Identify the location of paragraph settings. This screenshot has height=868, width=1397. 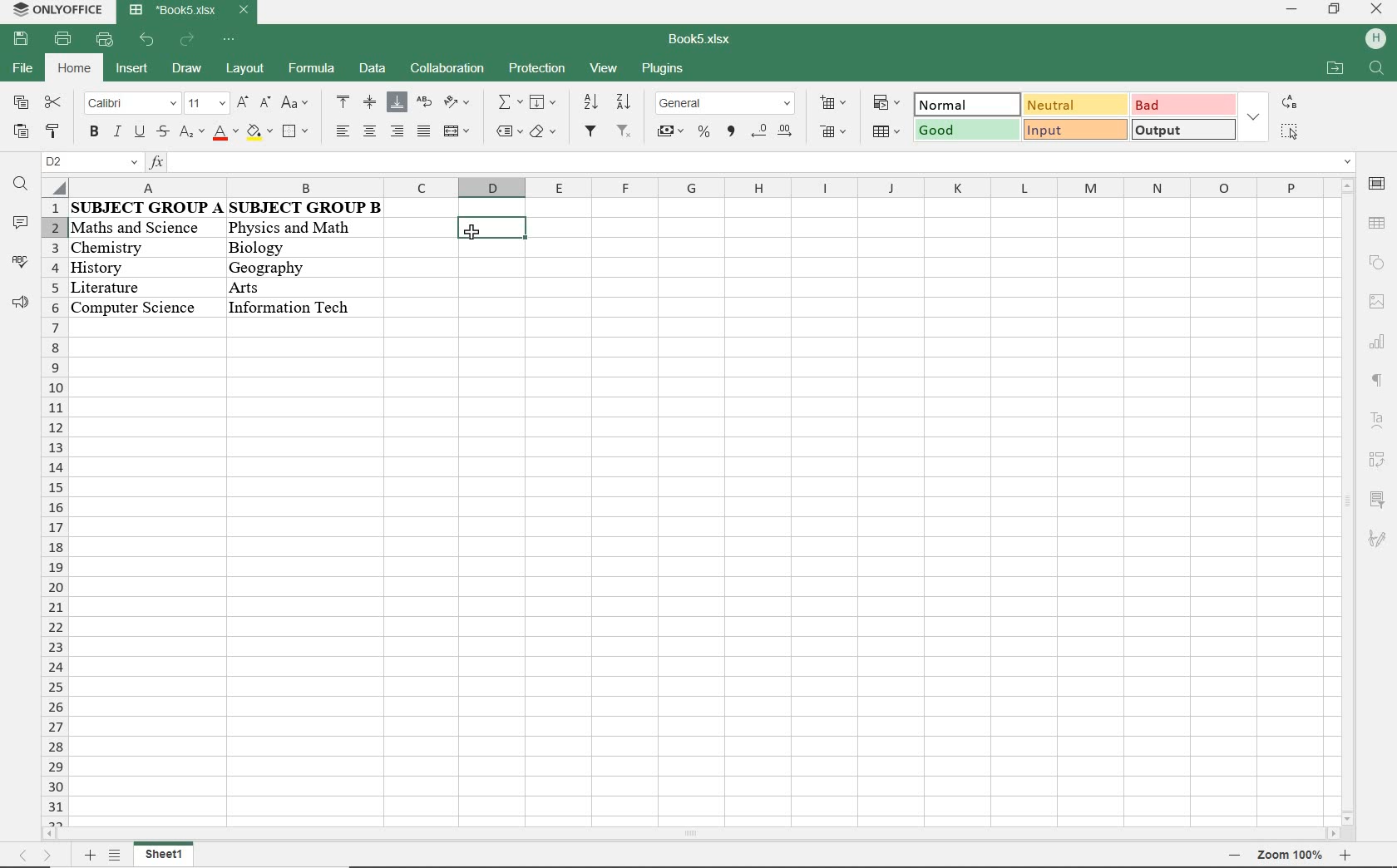
(1377, 380).